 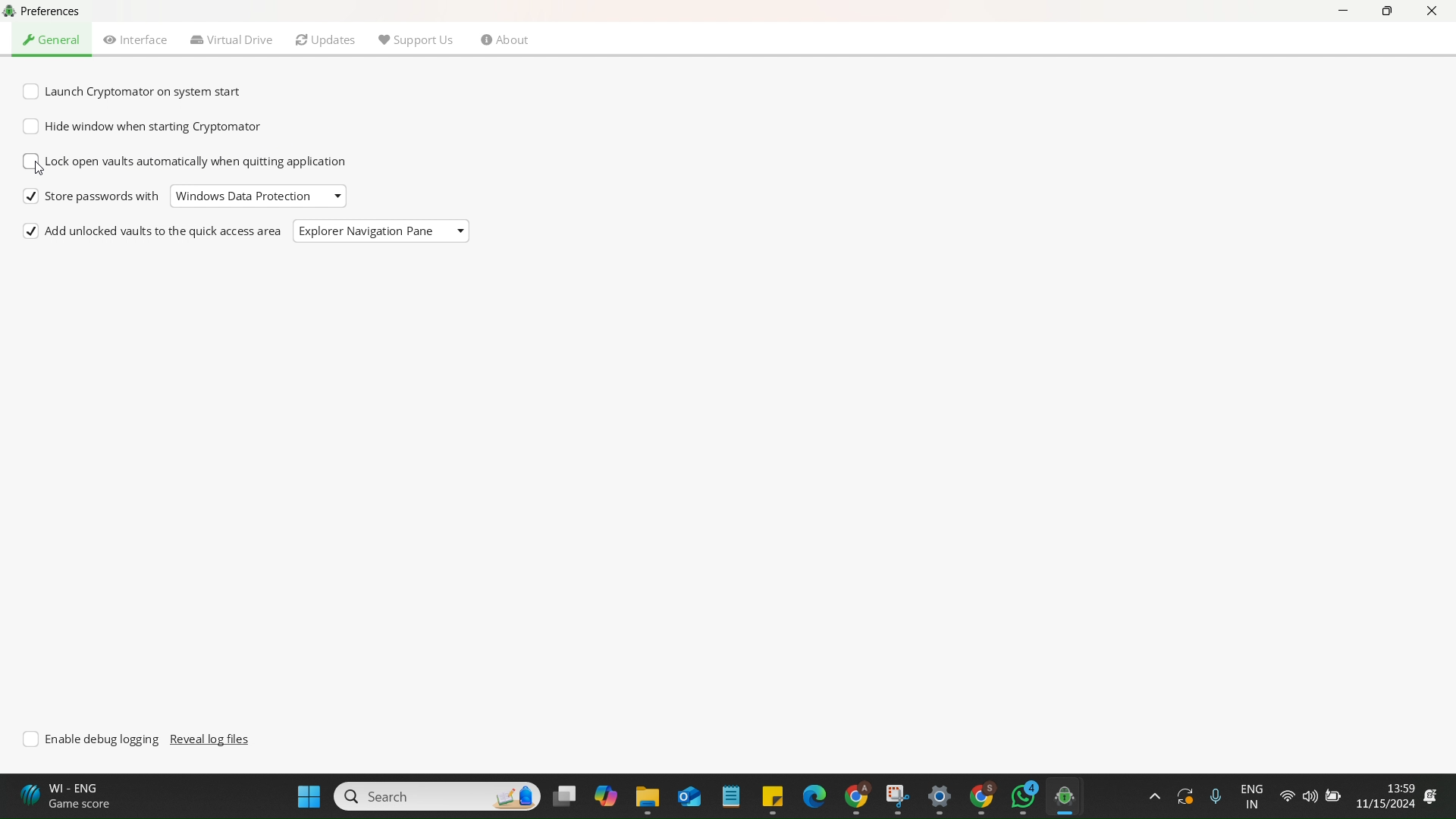 What do you see at coordinates (563, 795) in the screenshot?
I see `Multiple Window` at bounding box center [563, 795].